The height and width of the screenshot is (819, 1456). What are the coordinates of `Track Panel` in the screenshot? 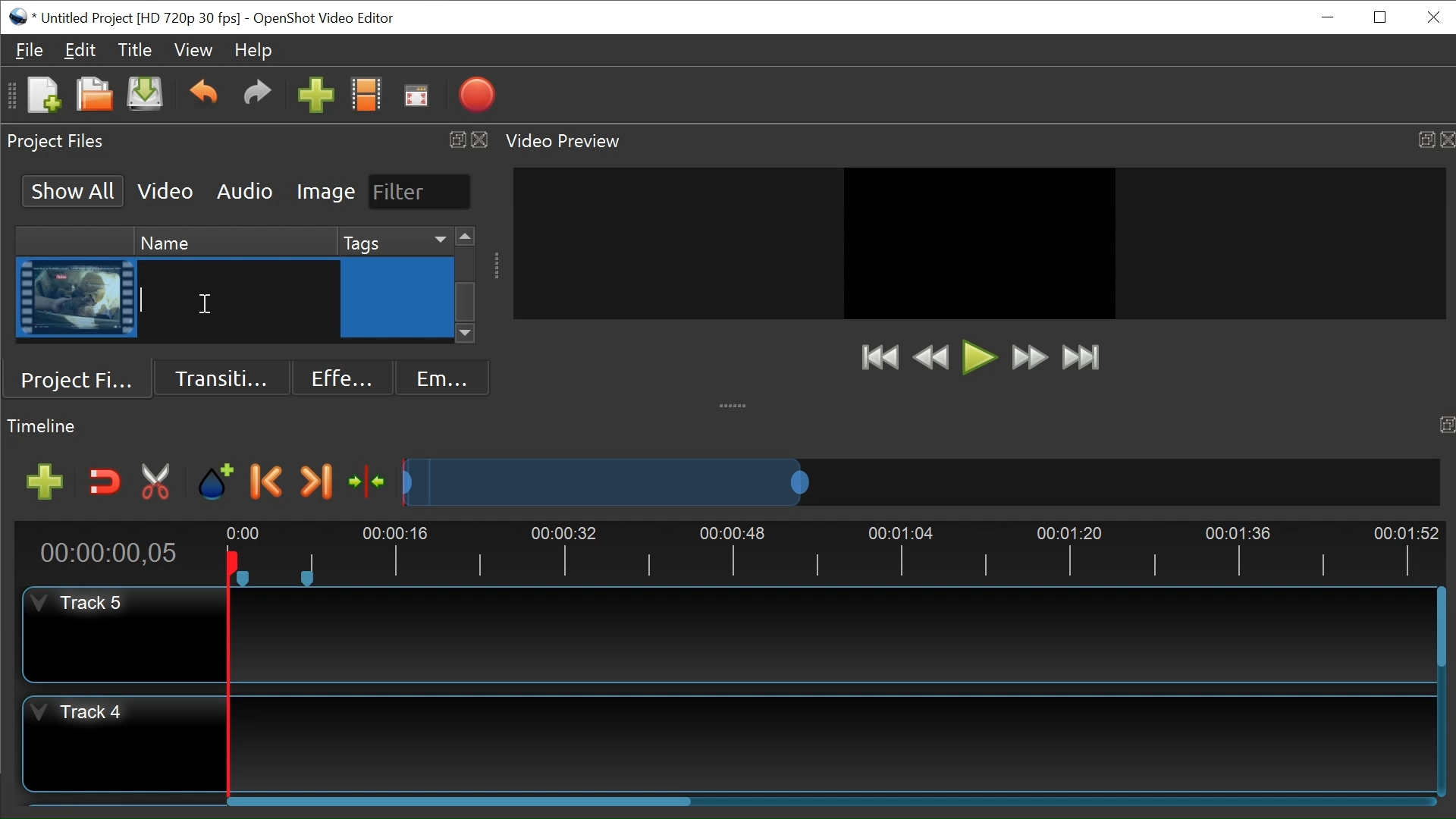 It's located at (833, 741).